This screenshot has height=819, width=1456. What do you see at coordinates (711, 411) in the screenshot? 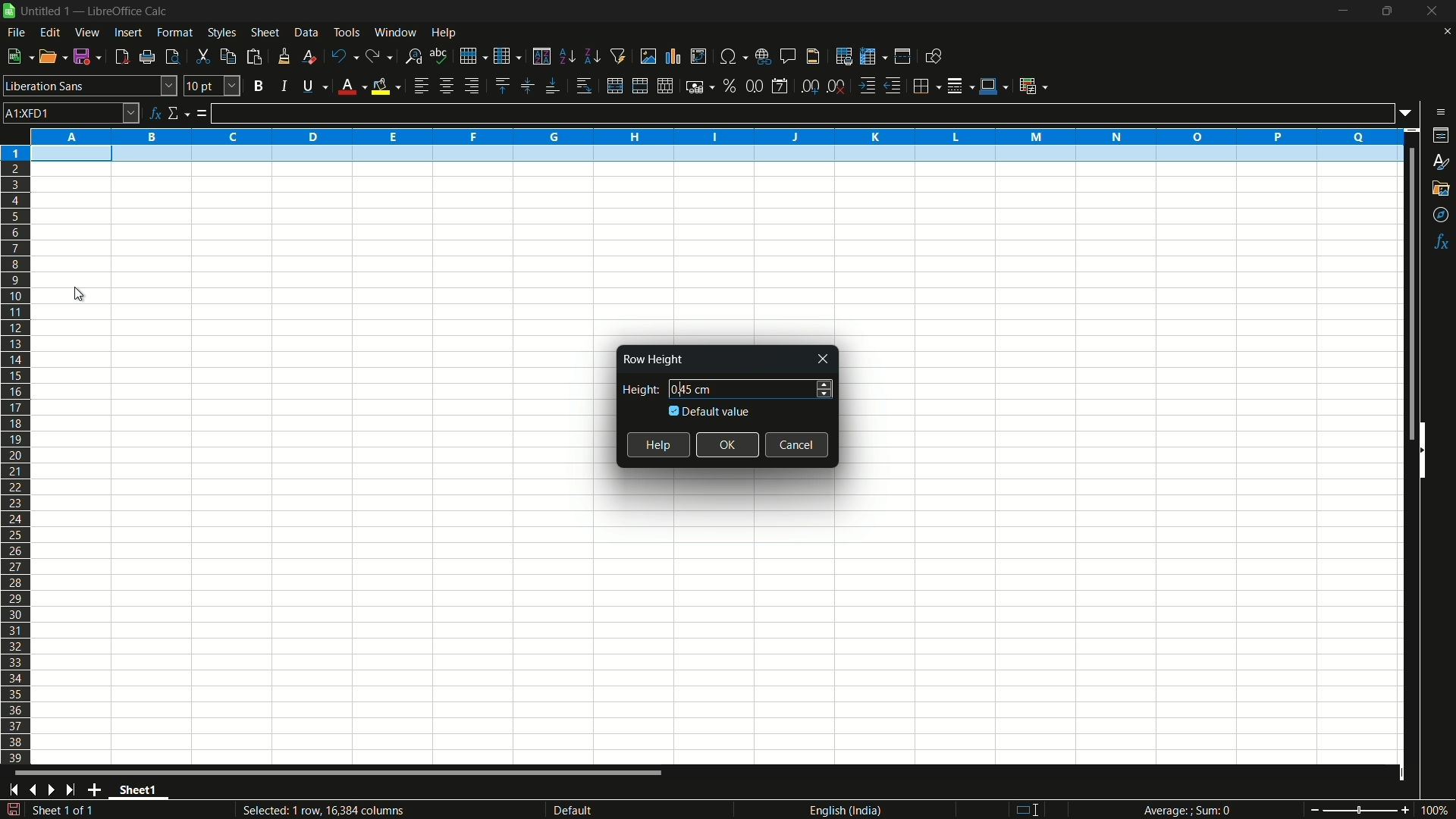
I see `default value` at bounding box center [711, 411].